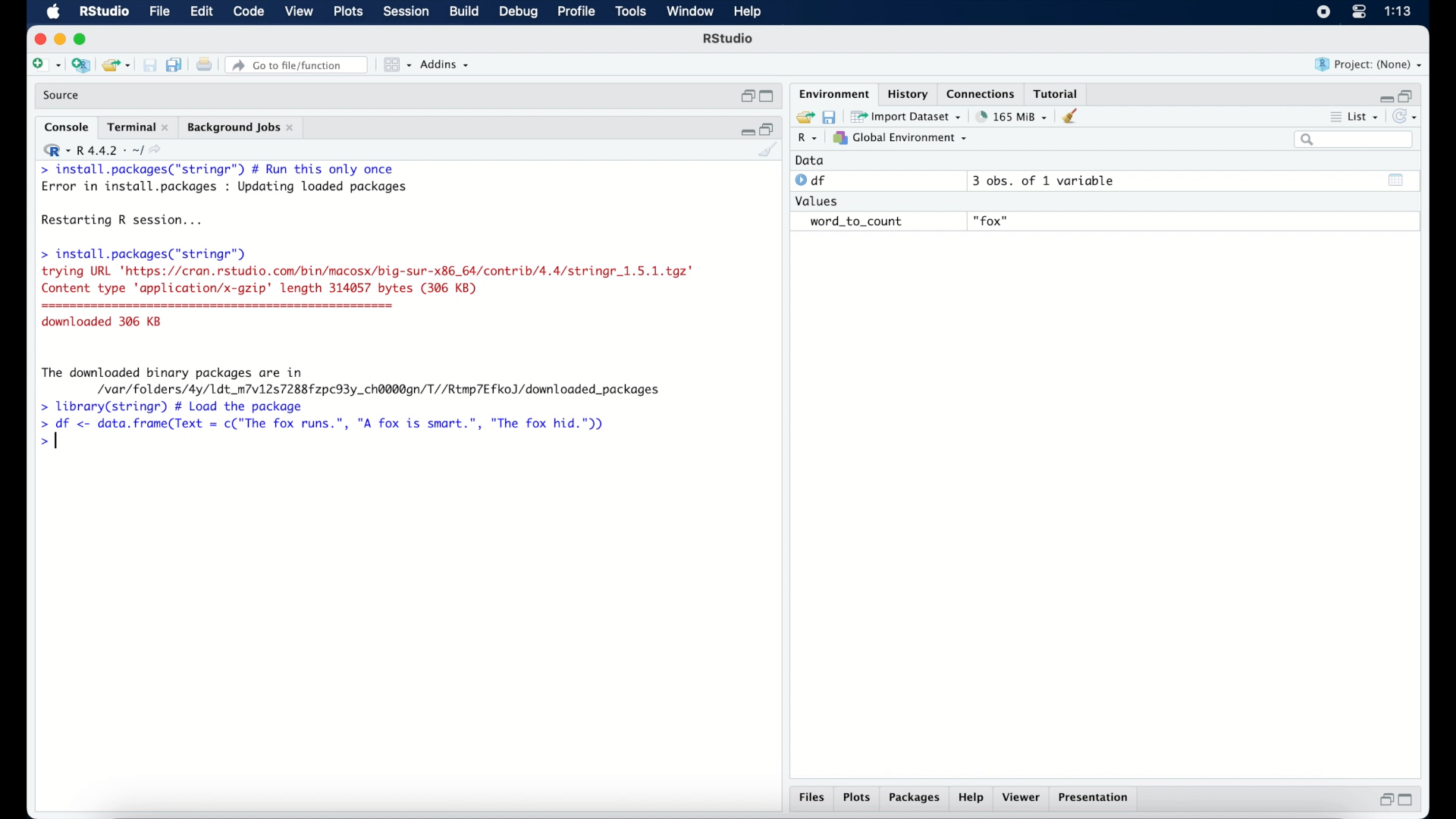 This screenshot has height=819, width=1456. I want to click on 203 MB, so click(1013, 117).